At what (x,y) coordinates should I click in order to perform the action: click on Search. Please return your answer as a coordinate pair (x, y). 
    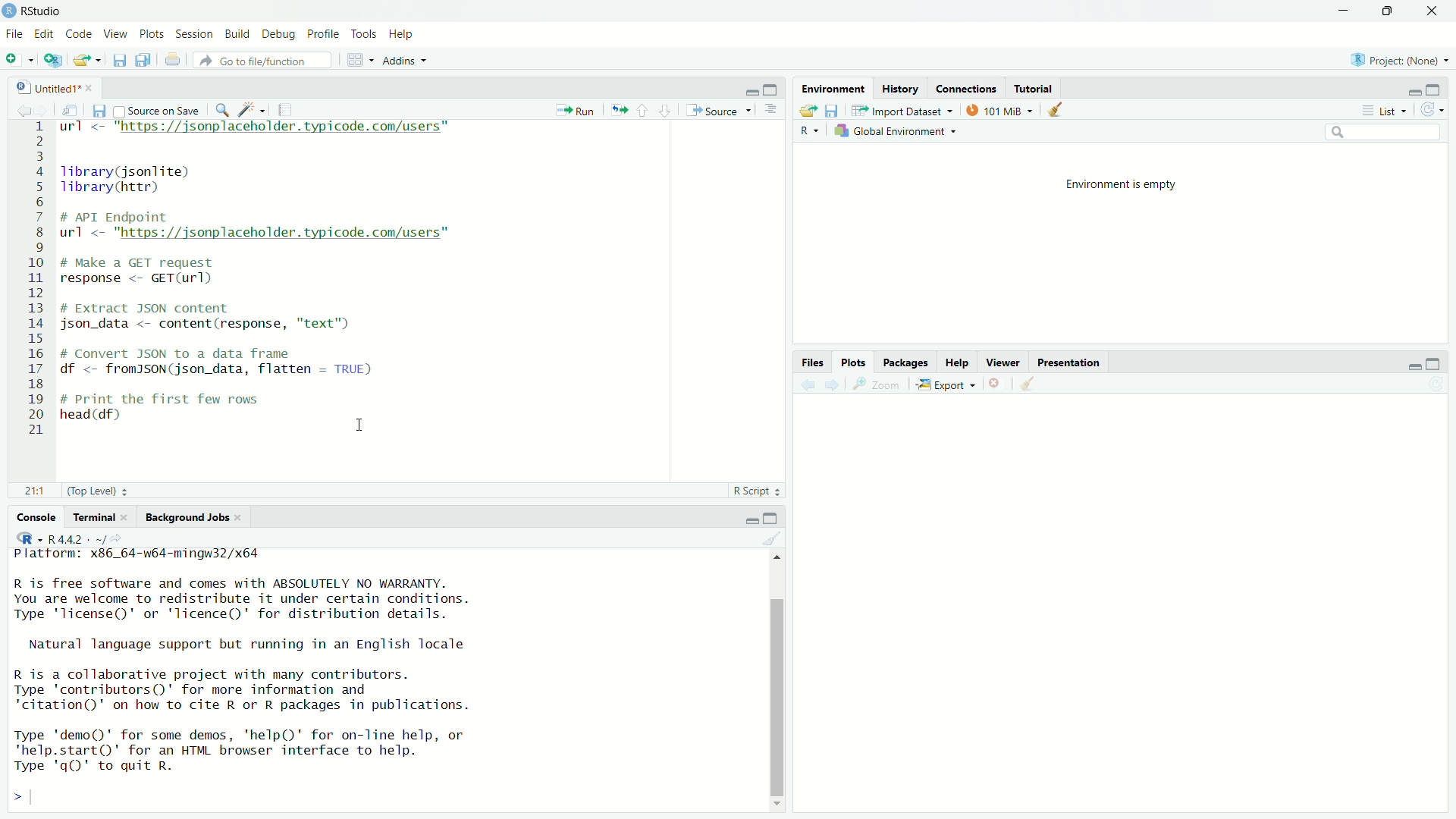
    Looking at the image, I should click on (1384, 134).